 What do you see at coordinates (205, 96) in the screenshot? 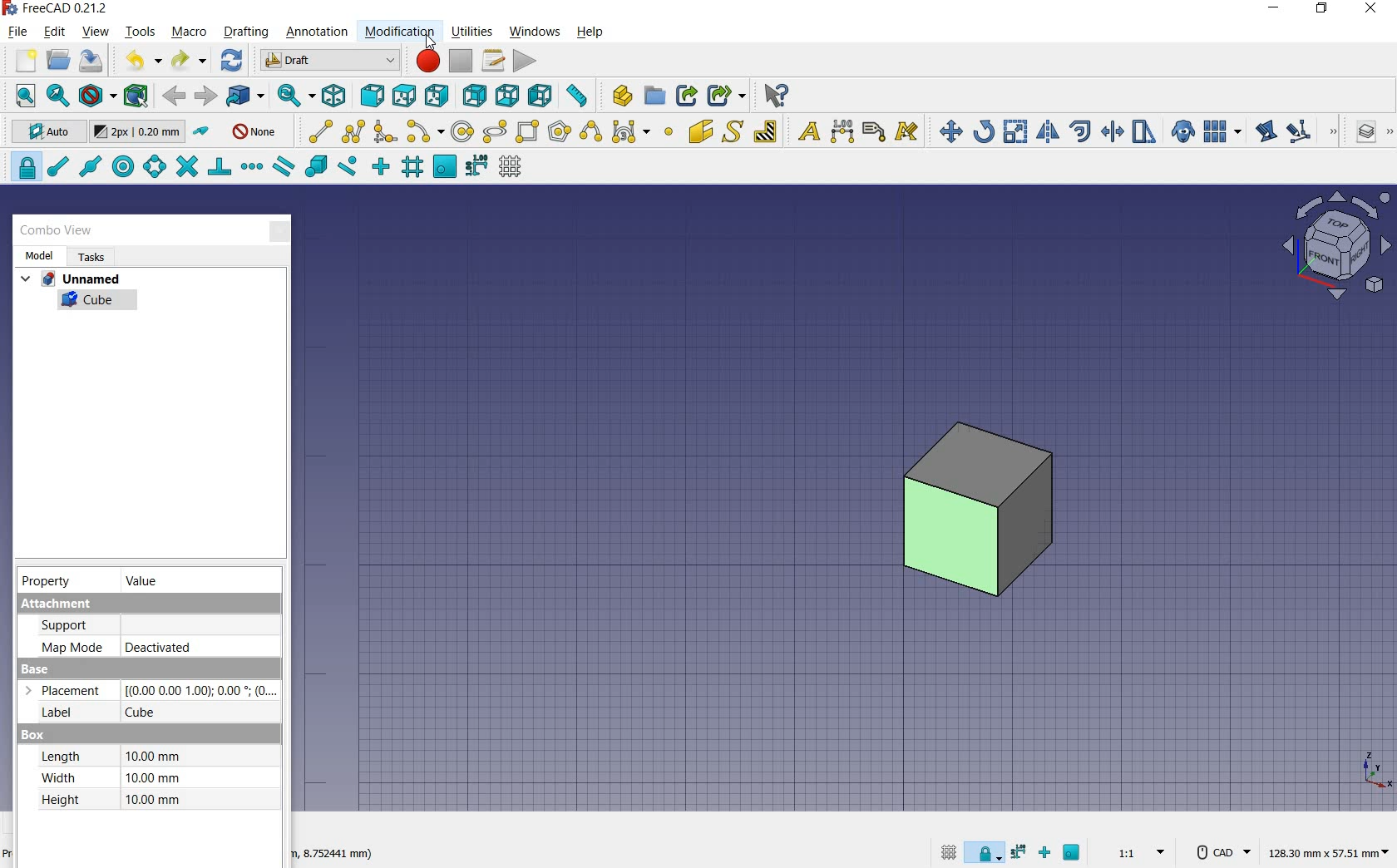
I see `forward` at bounding box center [205, 96].